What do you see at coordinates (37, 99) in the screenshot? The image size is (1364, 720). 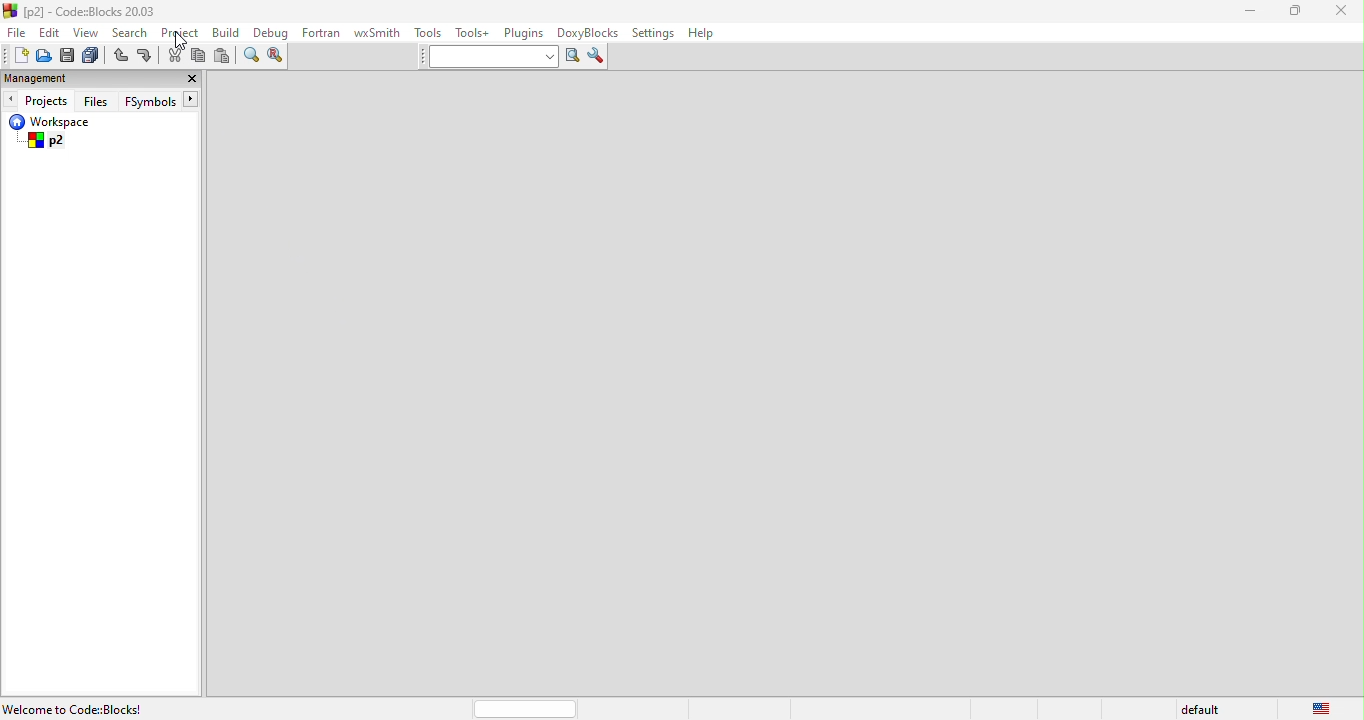 I see `projects` at bounding box center [37, 99].